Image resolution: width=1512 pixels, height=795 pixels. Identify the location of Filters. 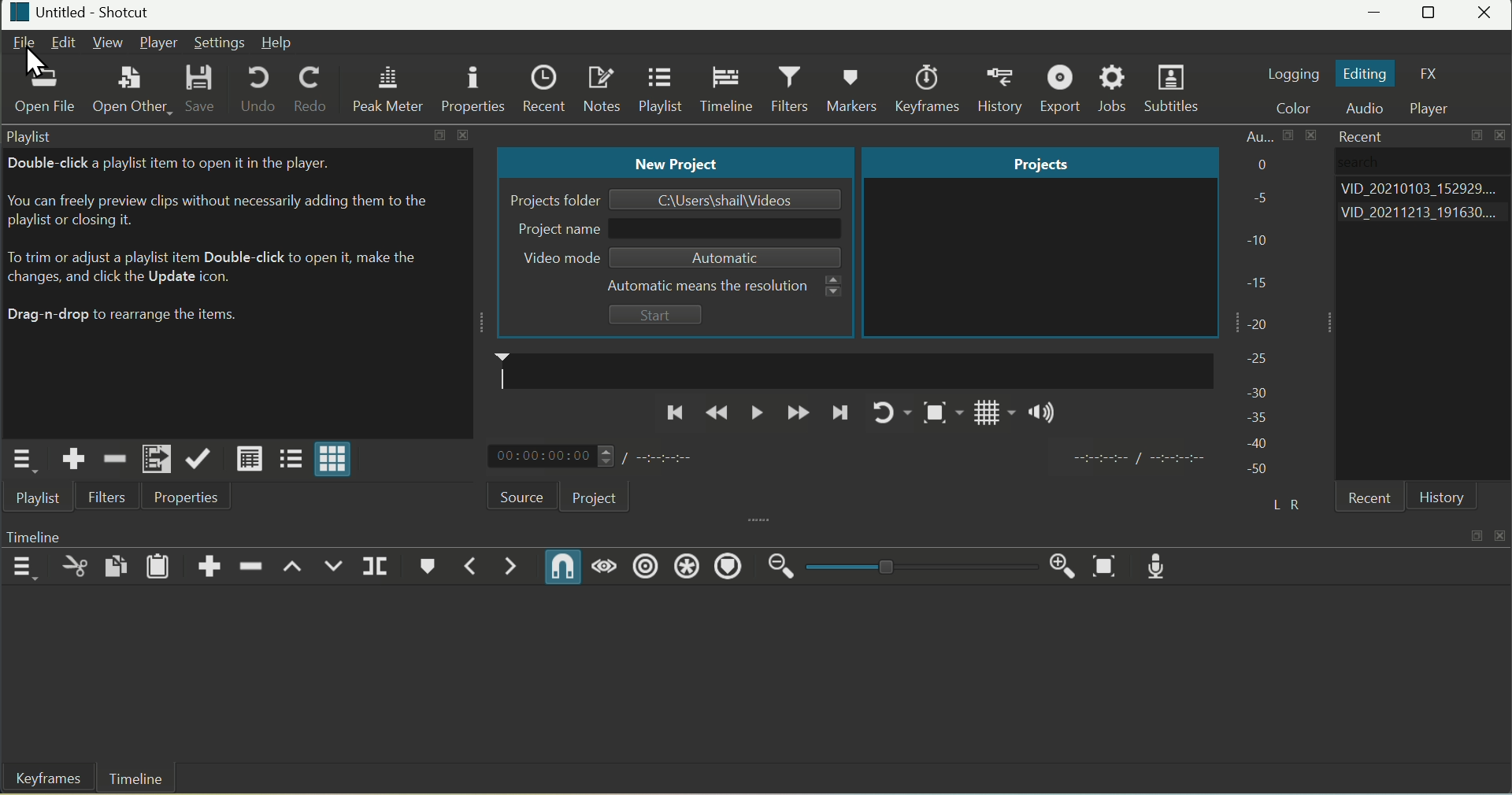
(108, 497).